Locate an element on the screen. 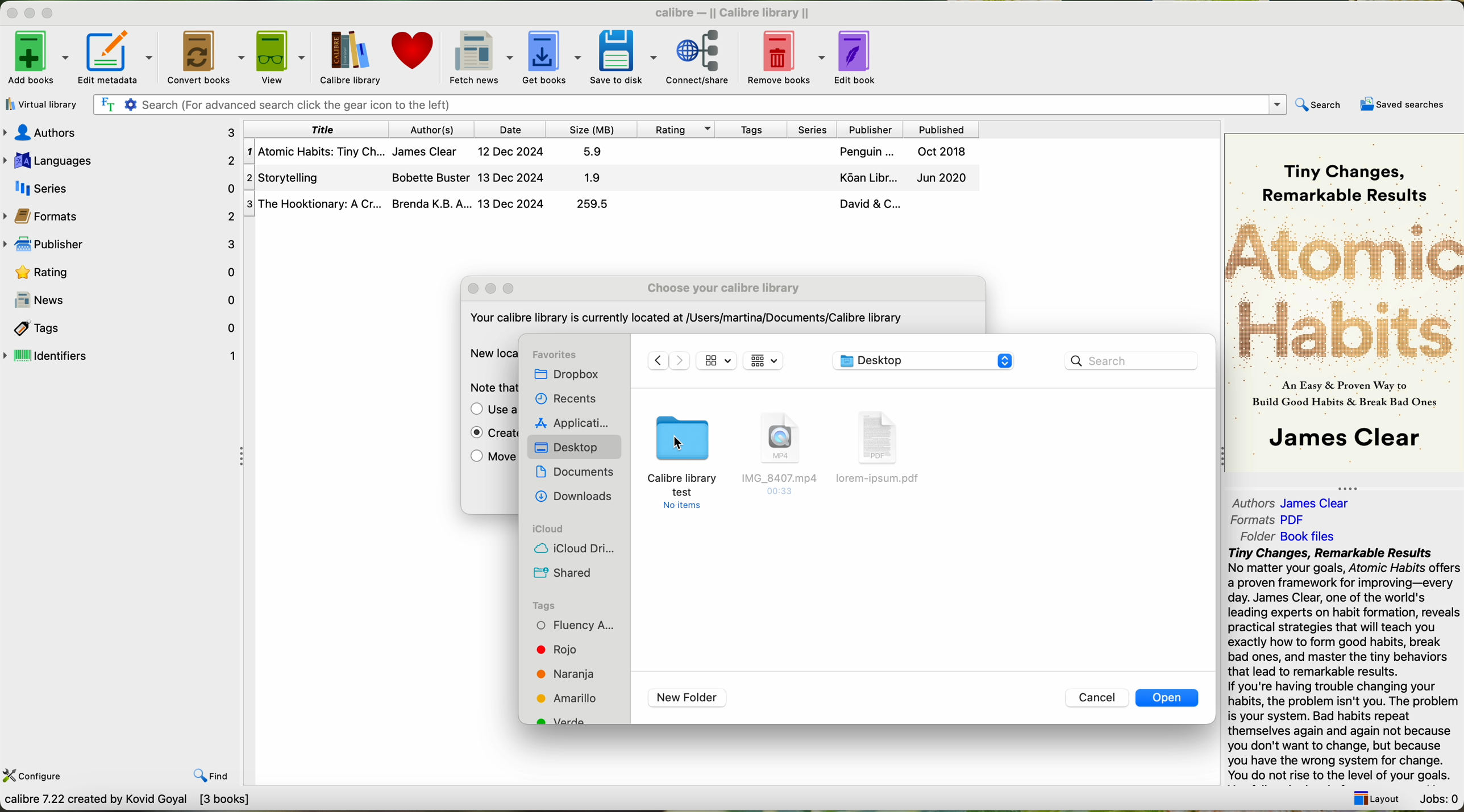  find is located at coordinates (202, 767).